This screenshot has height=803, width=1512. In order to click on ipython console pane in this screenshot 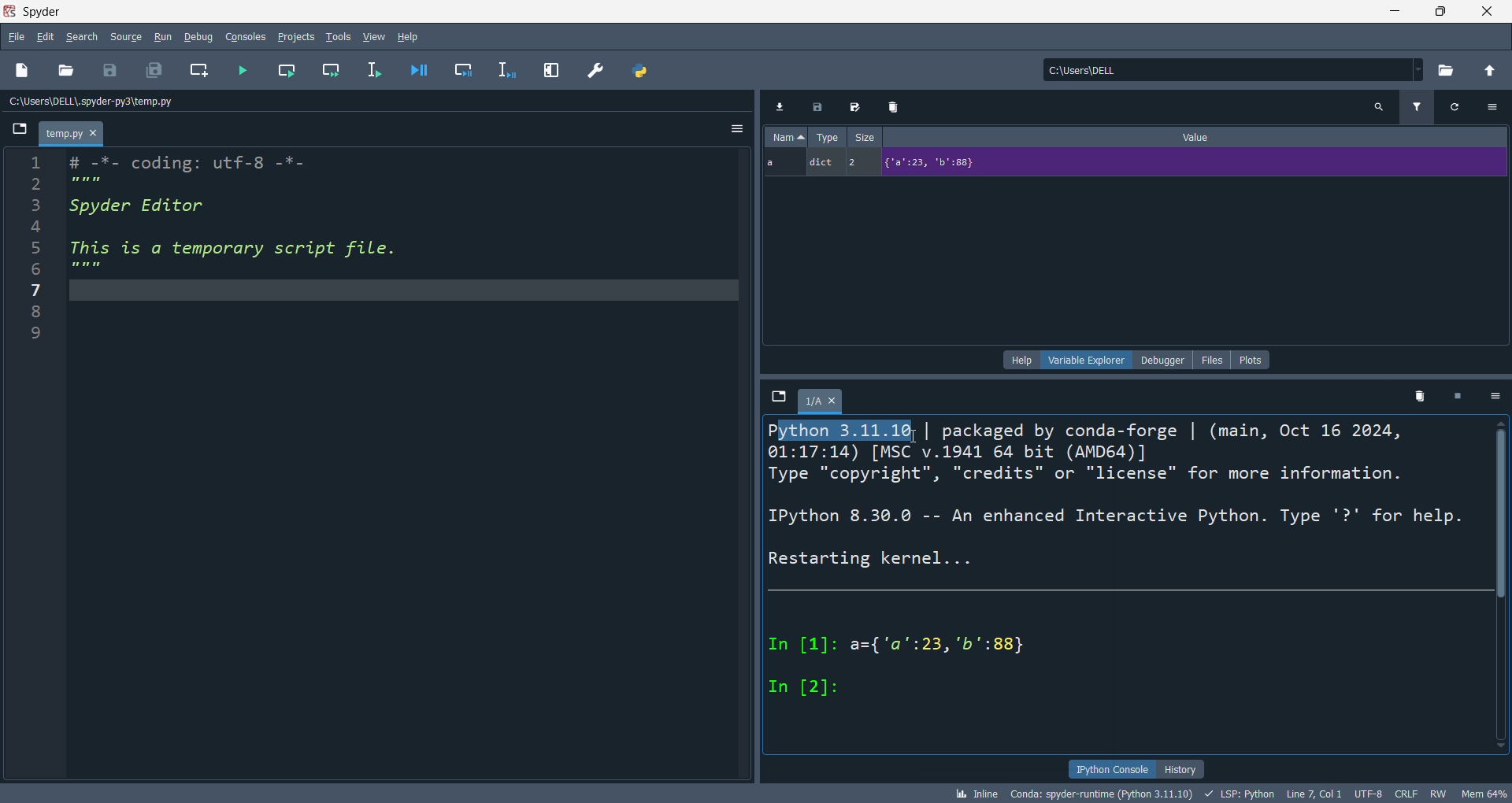, I will do `click(1127, 599)`.